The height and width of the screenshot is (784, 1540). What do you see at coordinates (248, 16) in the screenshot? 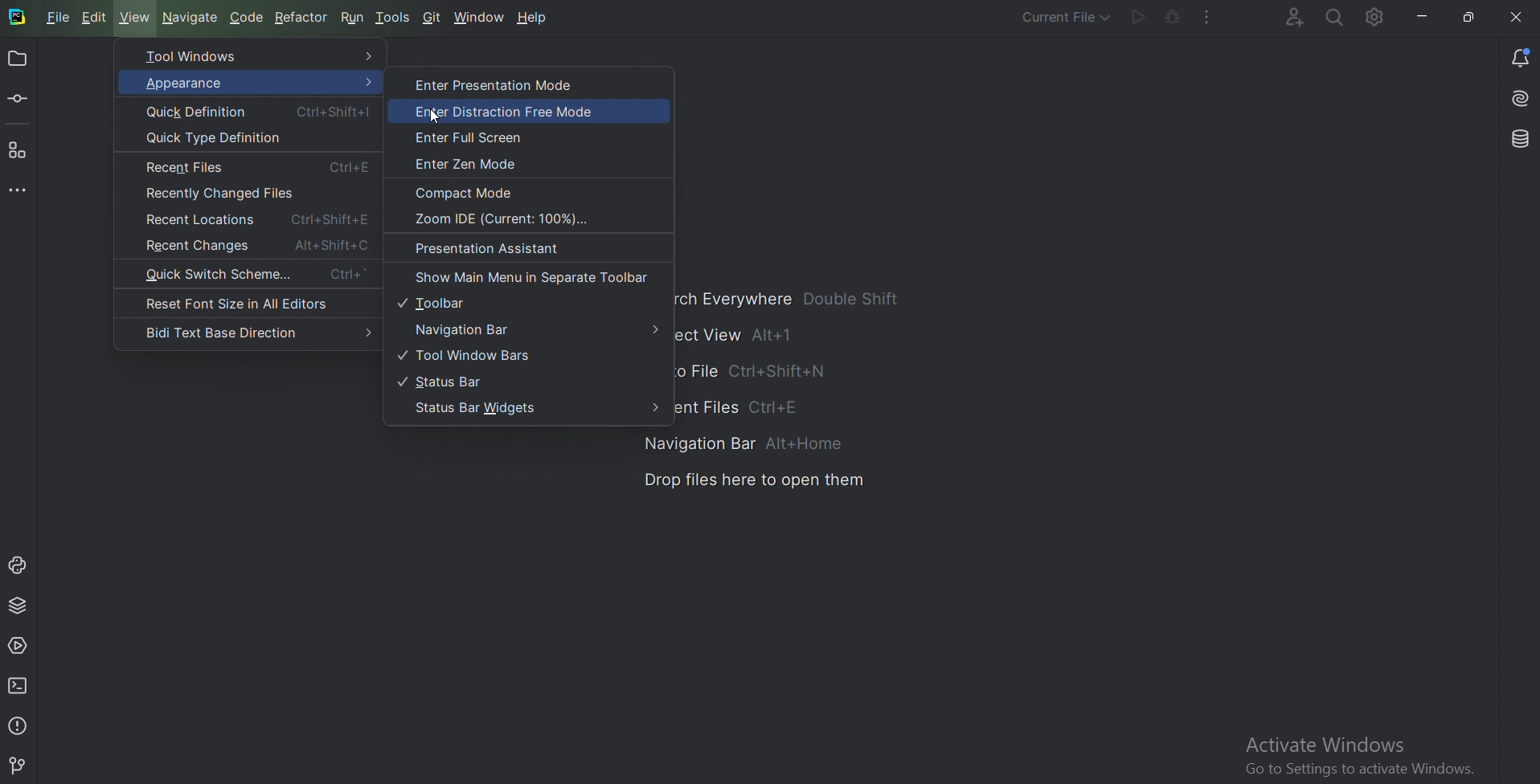
I see `Code` at bounding box center [248, 16].